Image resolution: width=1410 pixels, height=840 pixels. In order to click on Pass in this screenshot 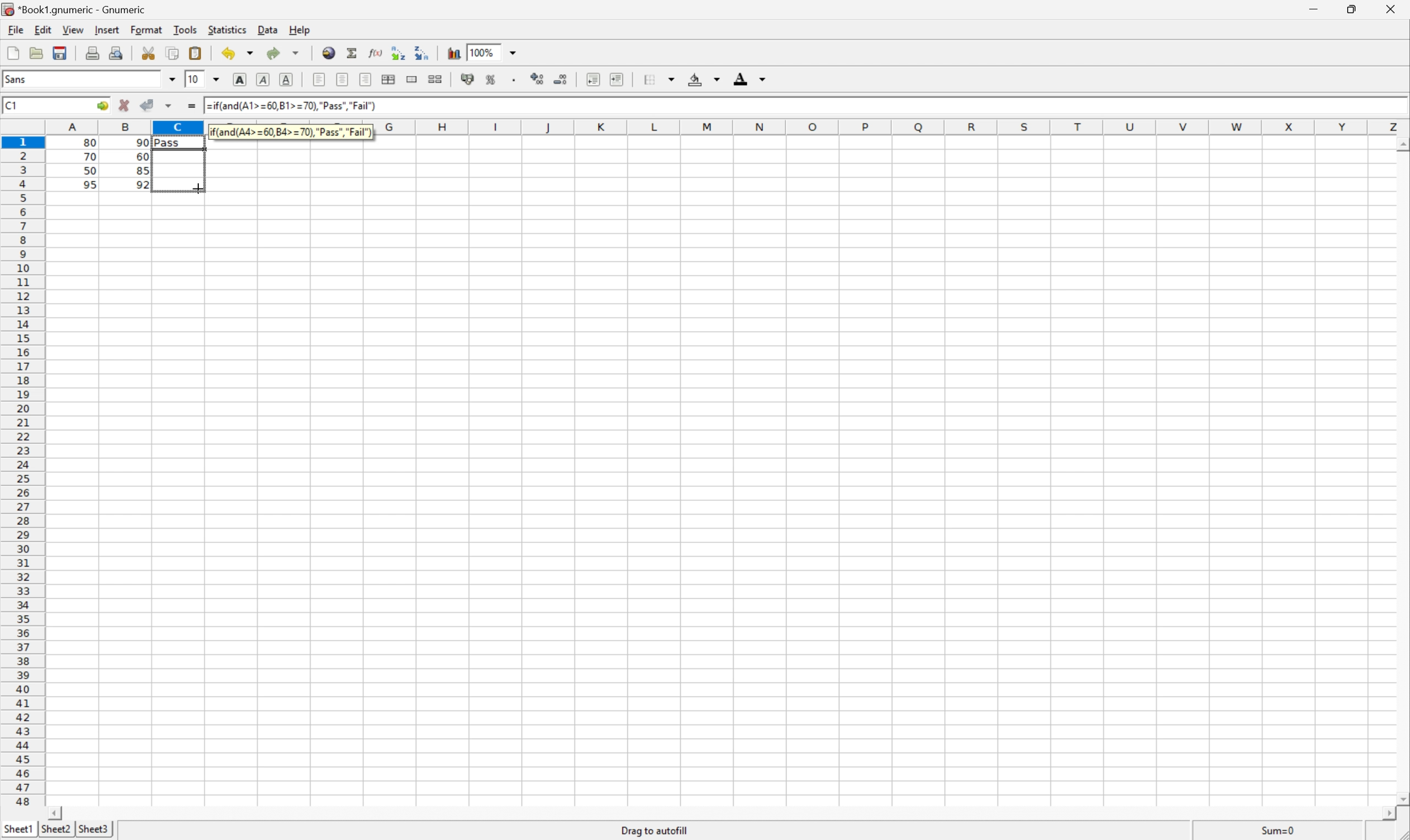, I will do `click(178, 140)`.